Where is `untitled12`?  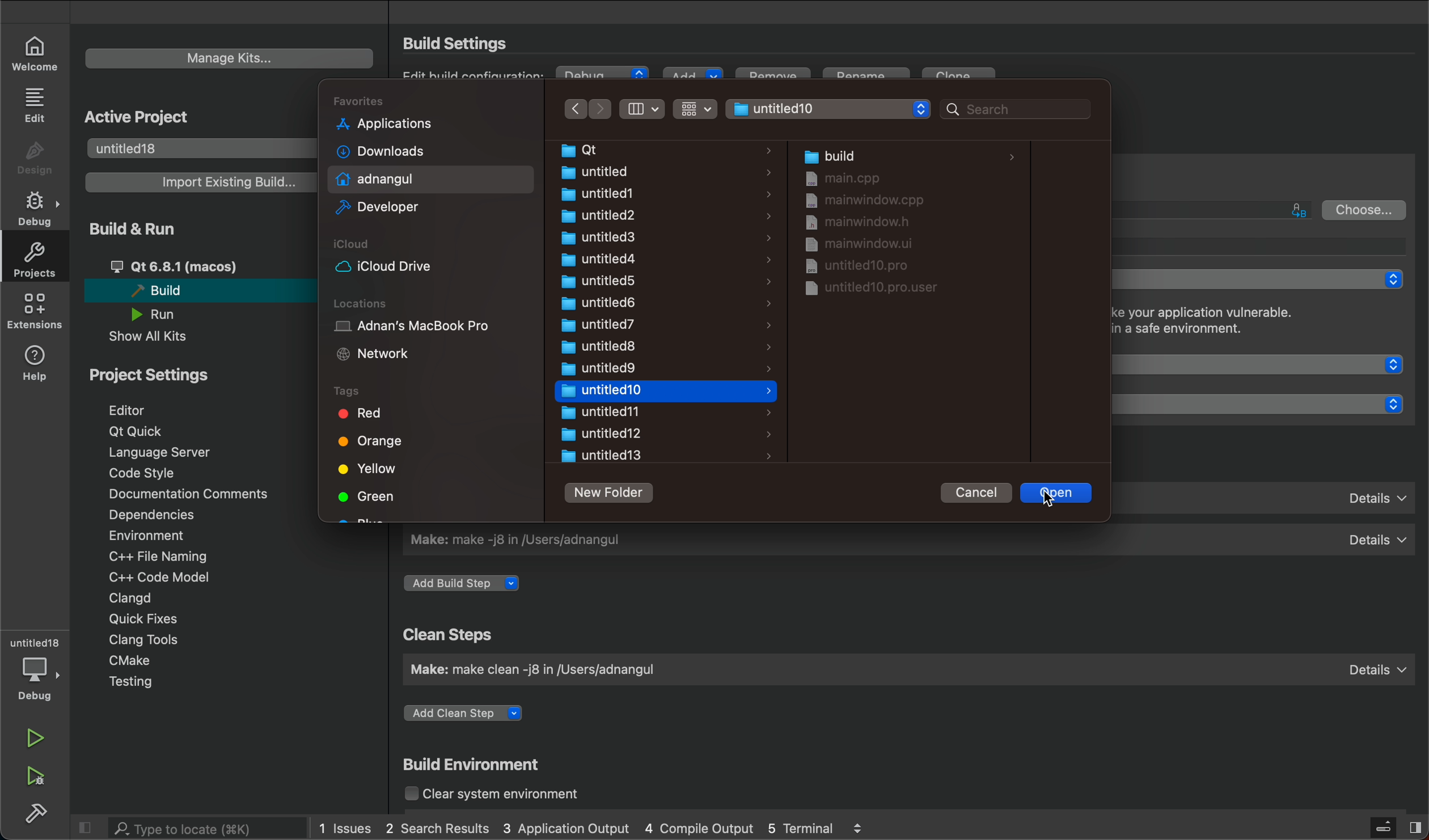 untitled12 is located at coordinates (665, 434).